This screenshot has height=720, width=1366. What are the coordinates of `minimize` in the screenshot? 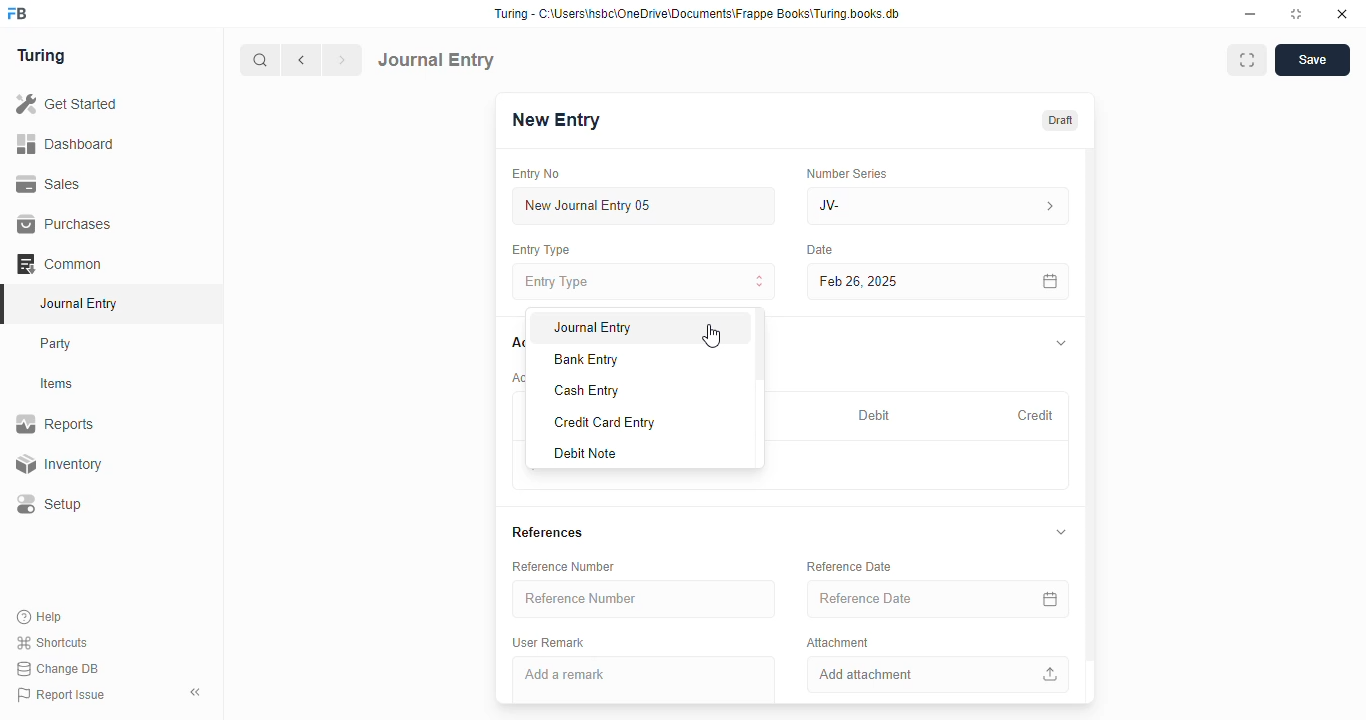 It's located at (1251, 14).